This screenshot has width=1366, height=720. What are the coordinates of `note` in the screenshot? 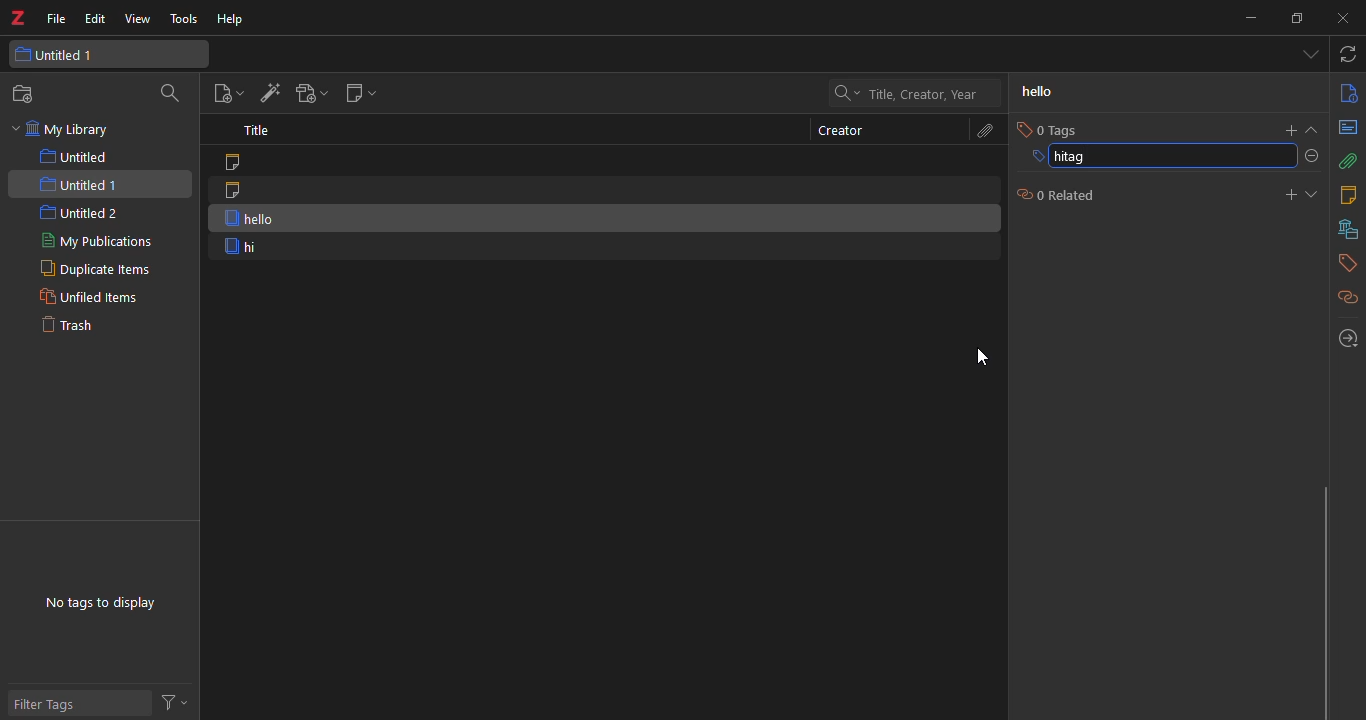 It's located at (237, 190).